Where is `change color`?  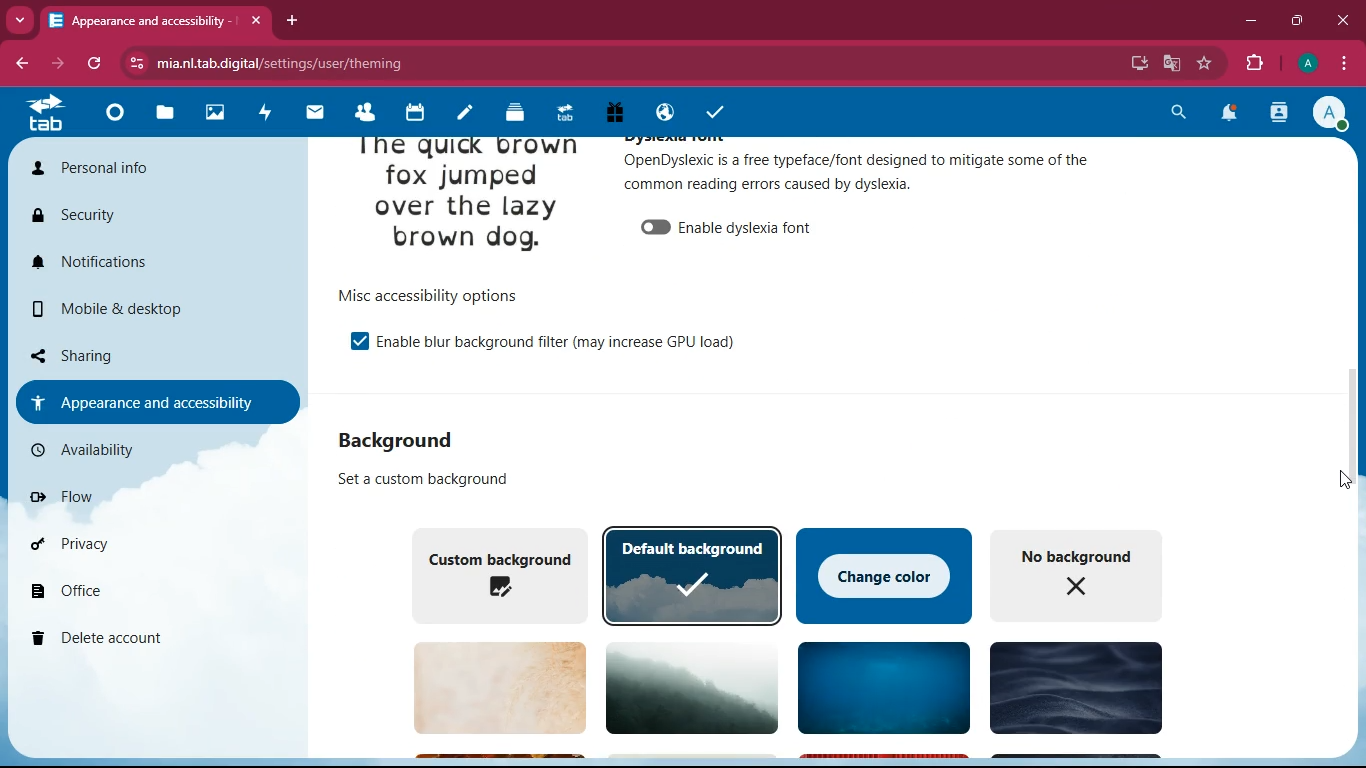 change color is located at coordinates (885, 573).